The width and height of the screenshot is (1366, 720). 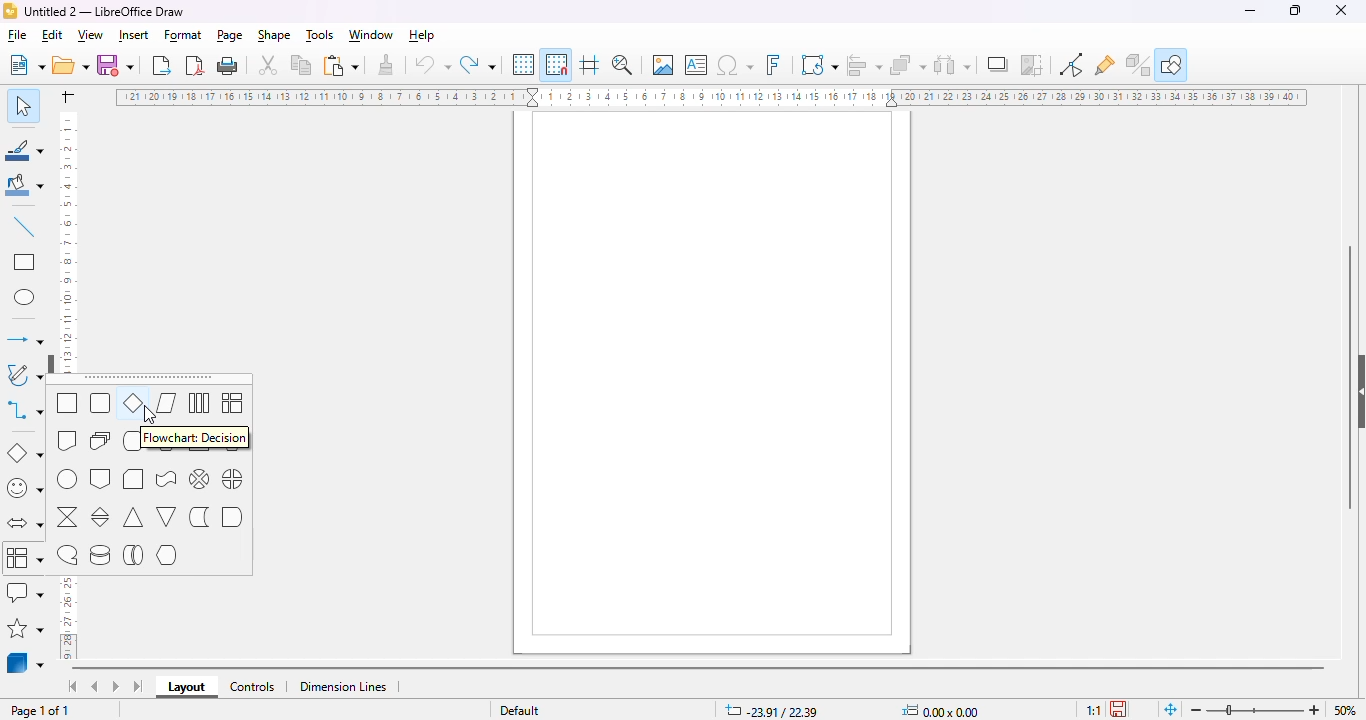 I want to click on arrange, so click(x=908, y=64).